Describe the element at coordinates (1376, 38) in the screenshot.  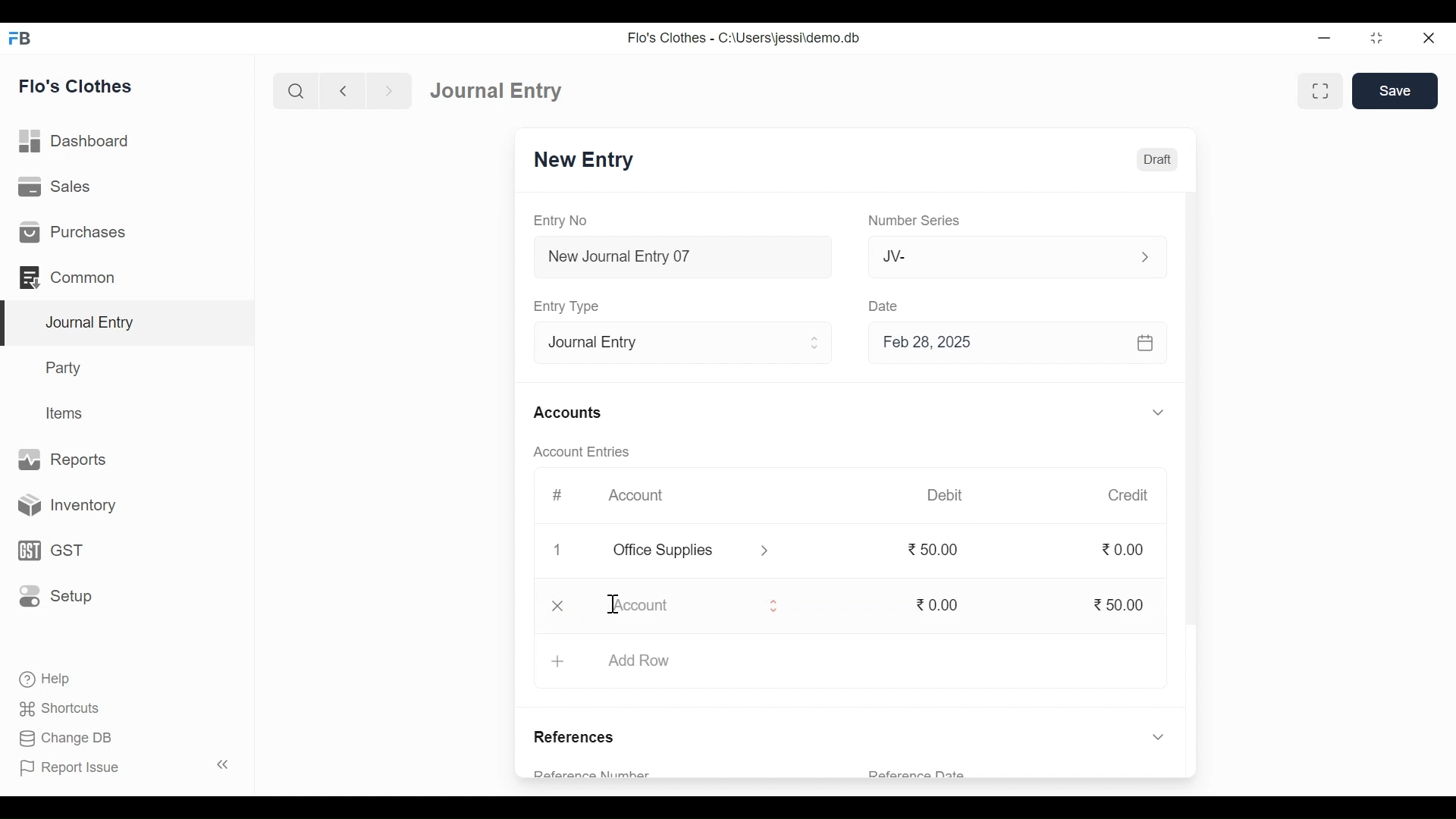
I see `Restore` at that location.